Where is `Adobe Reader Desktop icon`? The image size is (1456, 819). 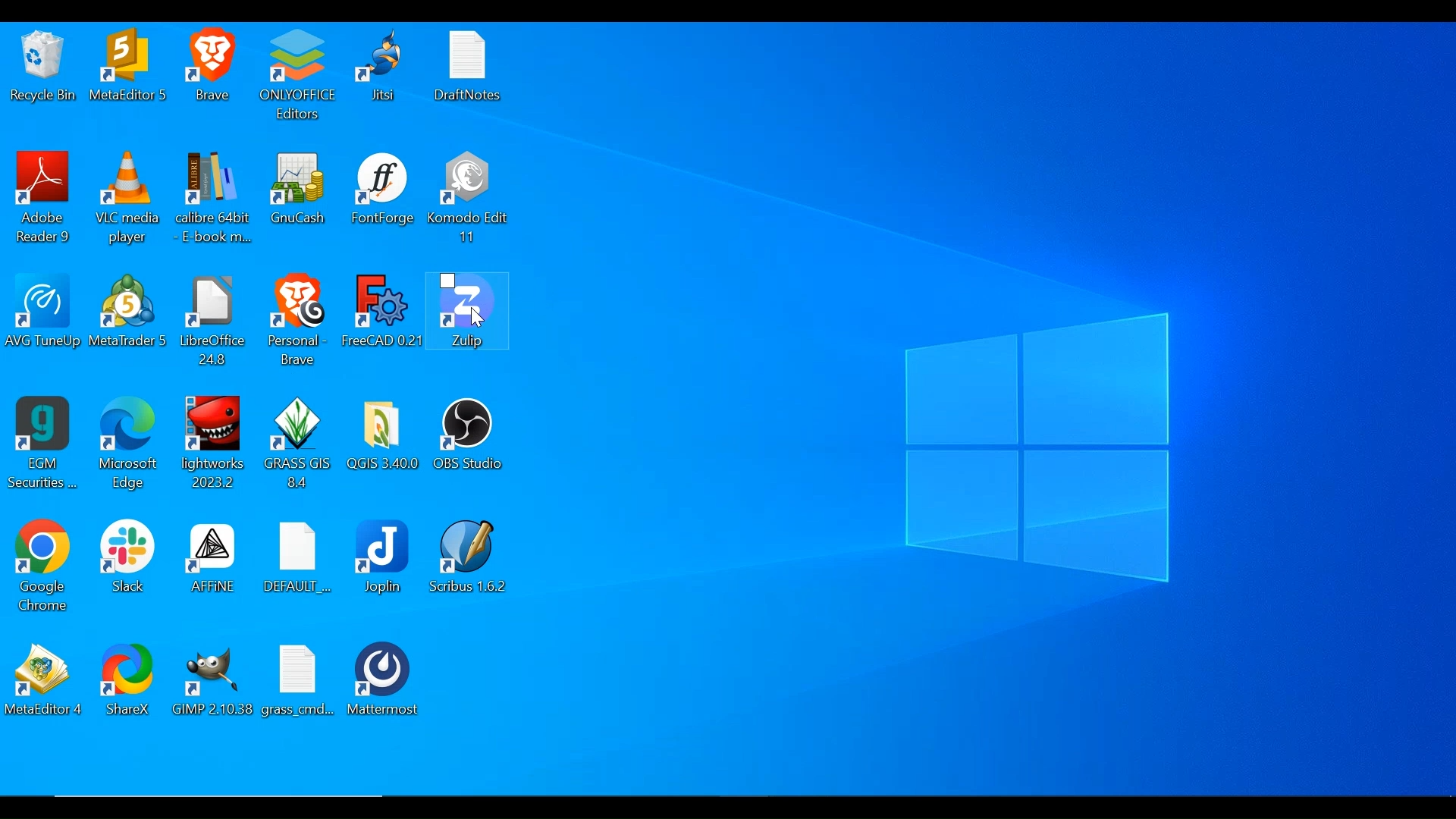
Adobe Reader Desktop icon is located at coordinates (45, 193).